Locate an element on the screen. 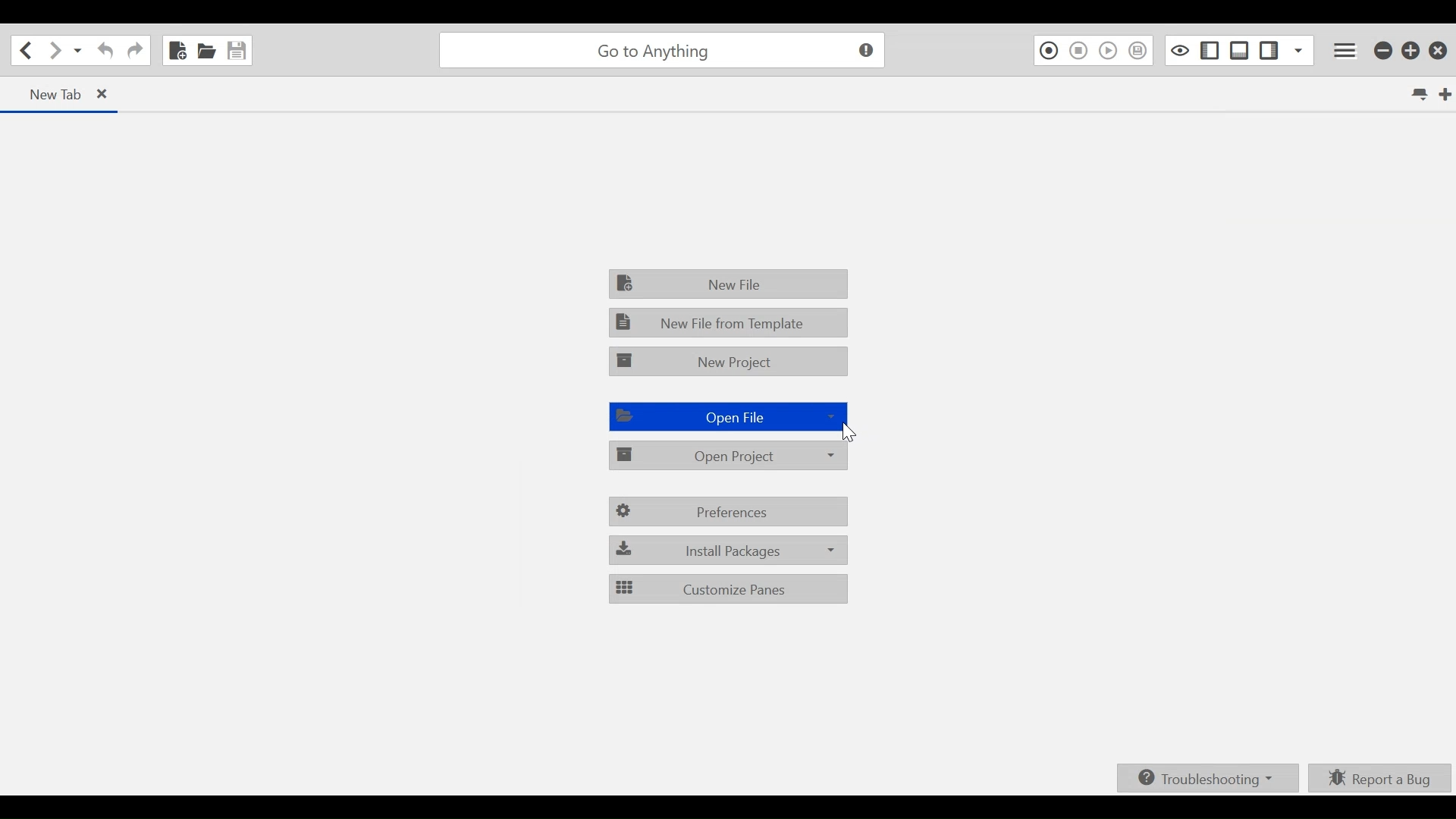  New Project is located at coordinates (730, 362).